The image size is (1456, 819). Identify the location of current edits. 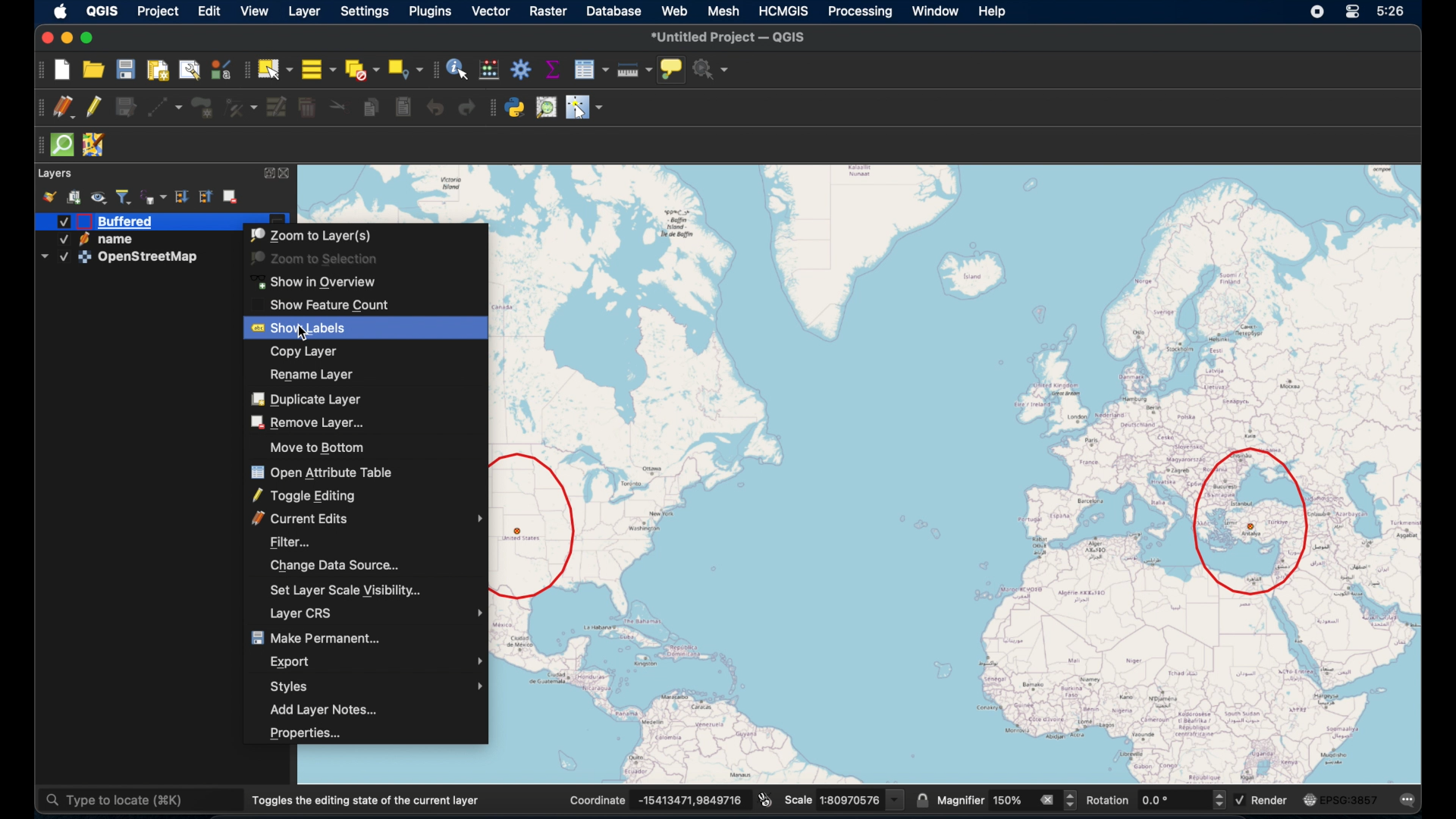
(64, 108).